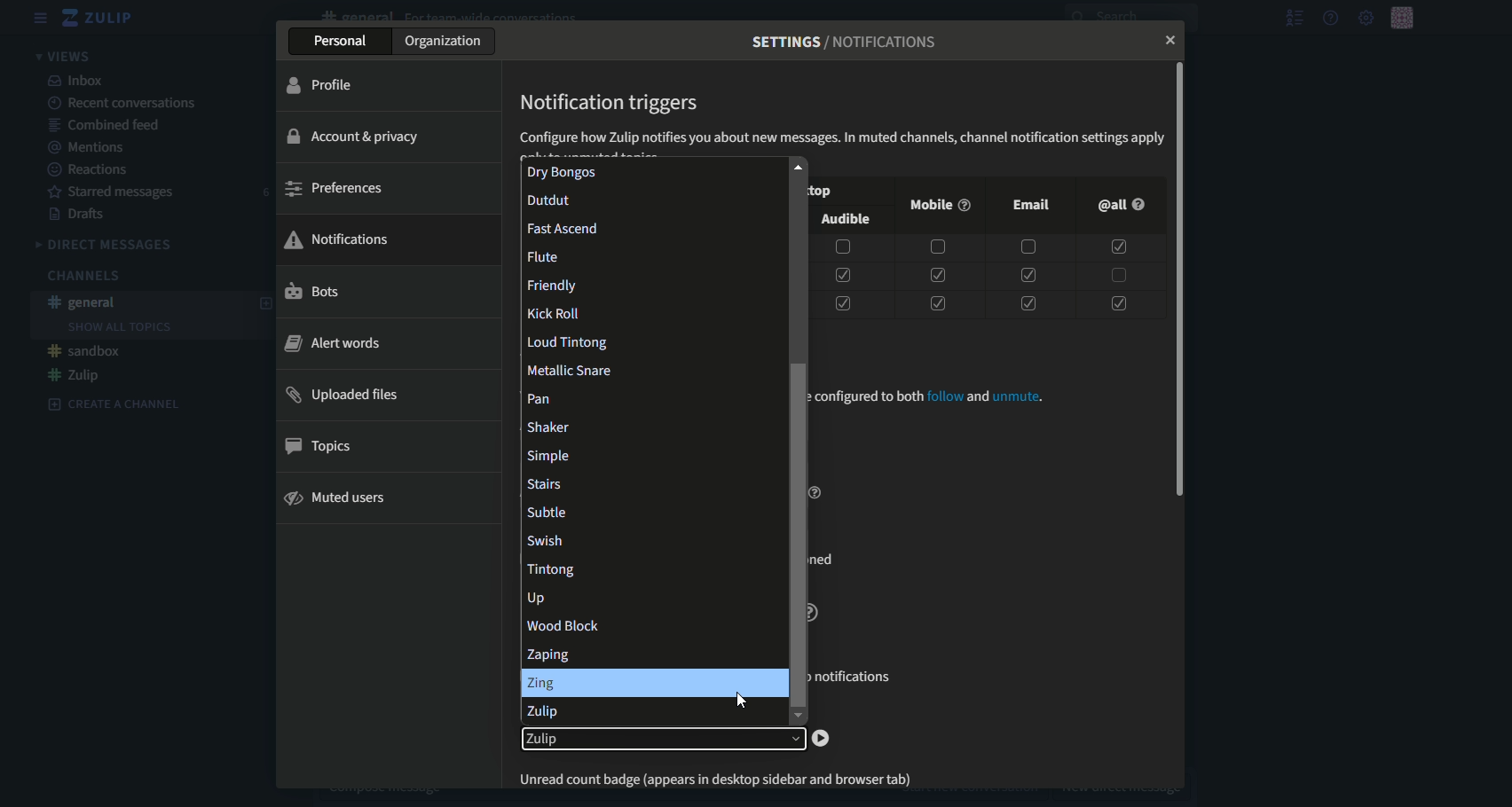 Image resolution: width=1512 pixels, height=807 pixels. Describe the element at coordinates (1294, 18) in the screenshot. I see `show user list` at that location.